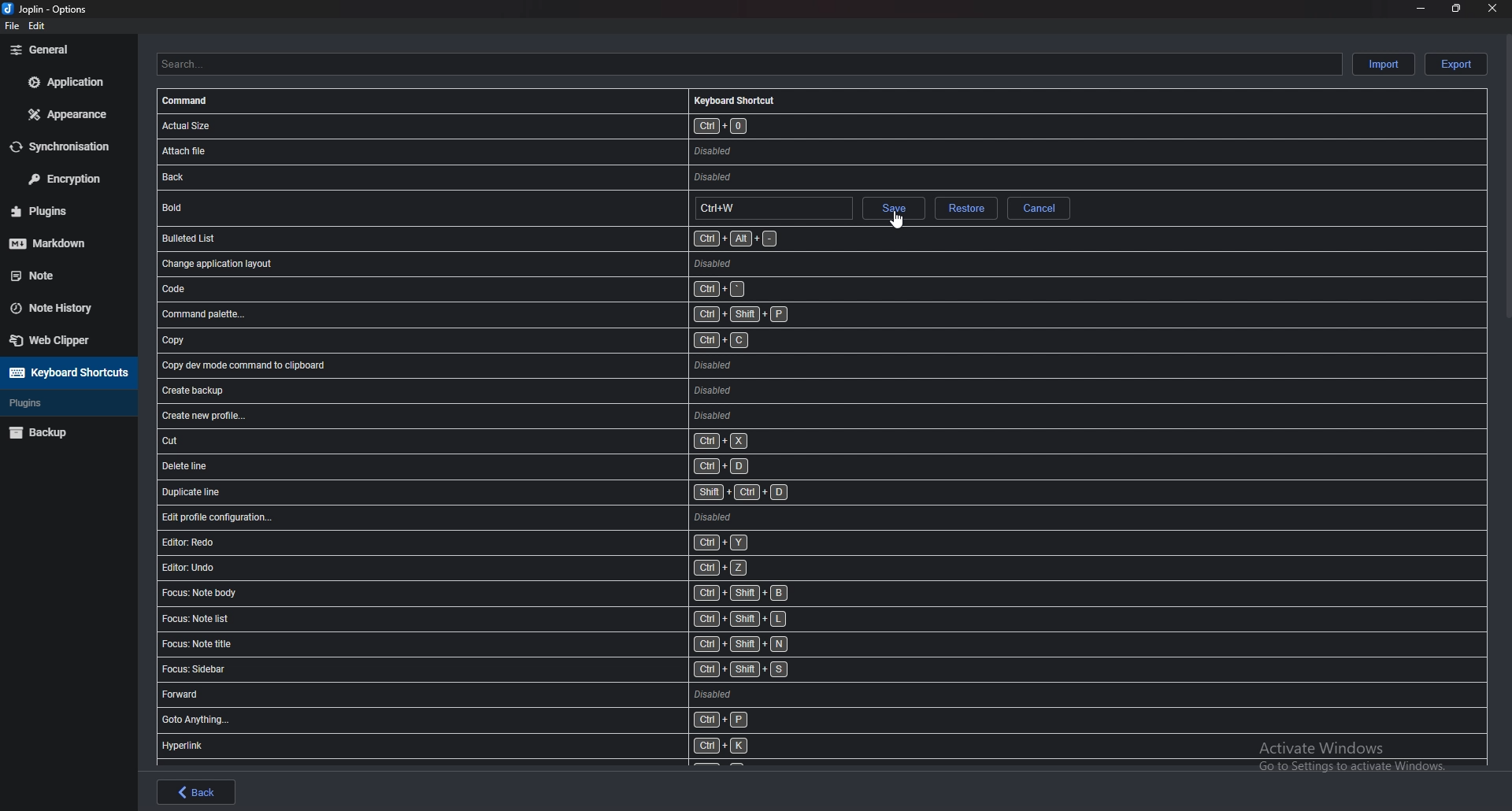 The height and width of the screenshot is (811, 1512). Describe the element at coordinates (35, 25) in the screenshot. I see `edit` at that location.